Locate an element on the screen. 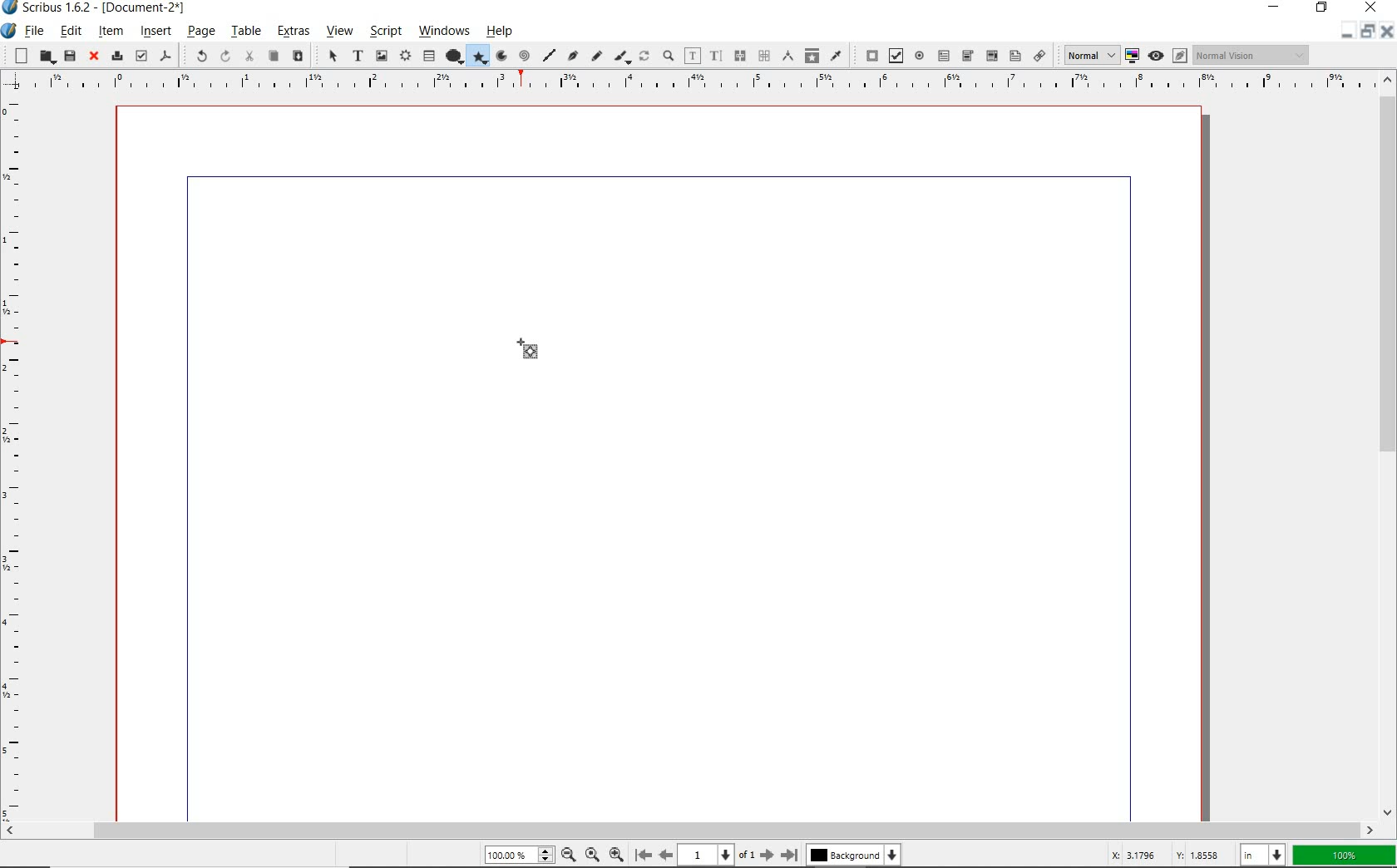 This screenshot has width=1397, height=868. select item is located at coordinates (330, 56).